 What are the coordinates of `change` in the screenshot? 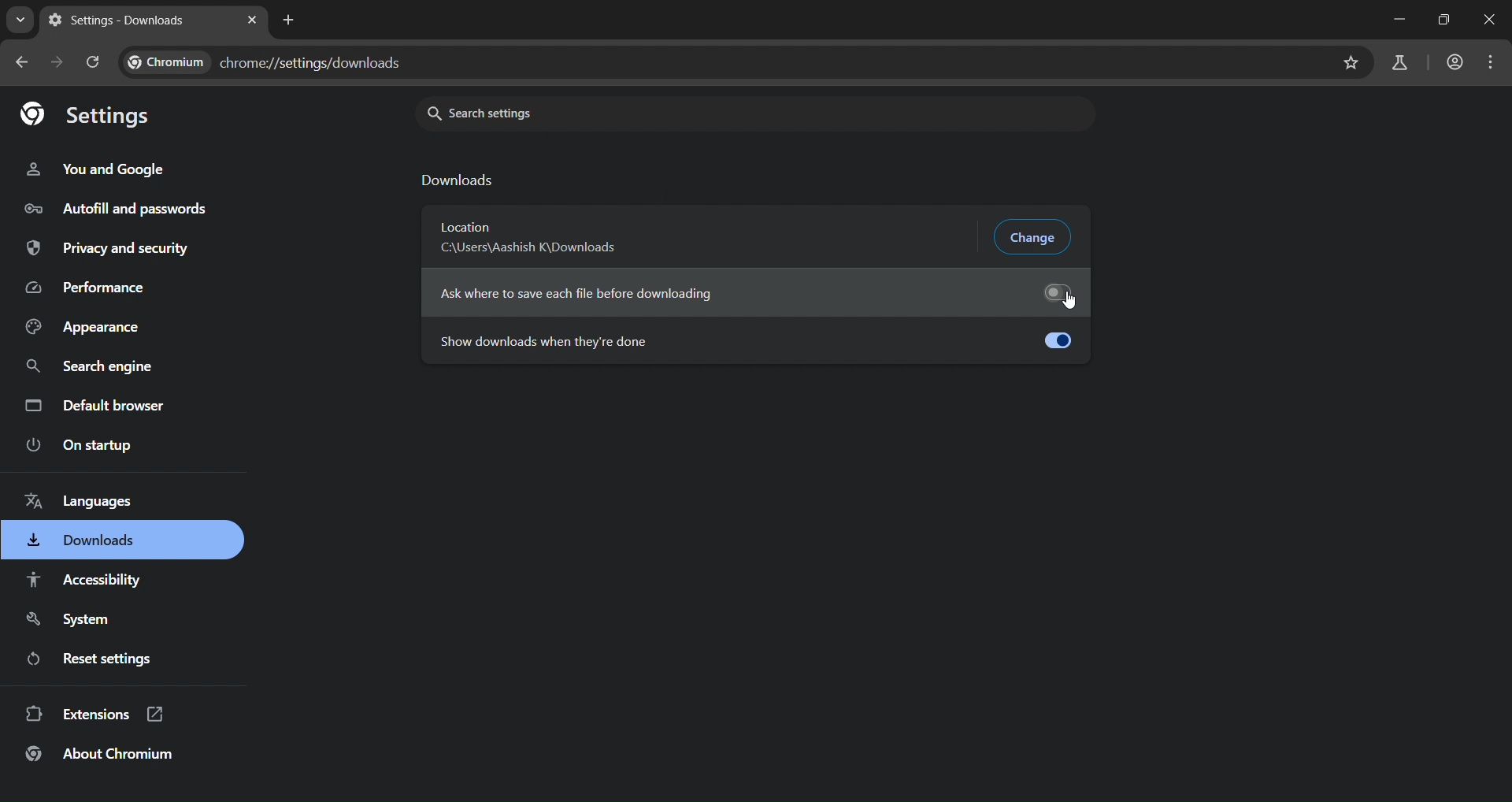 It's located at (1035, 236).